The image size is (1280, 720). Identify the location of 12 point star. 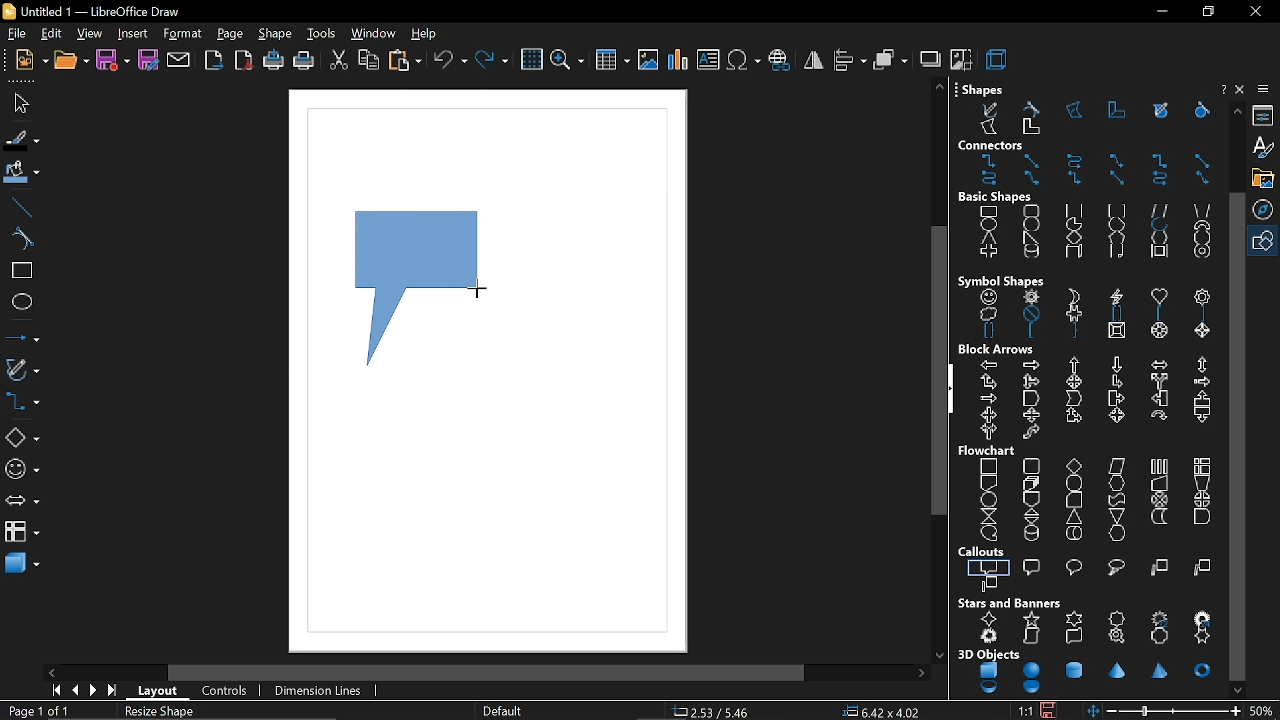
(1162, 616).